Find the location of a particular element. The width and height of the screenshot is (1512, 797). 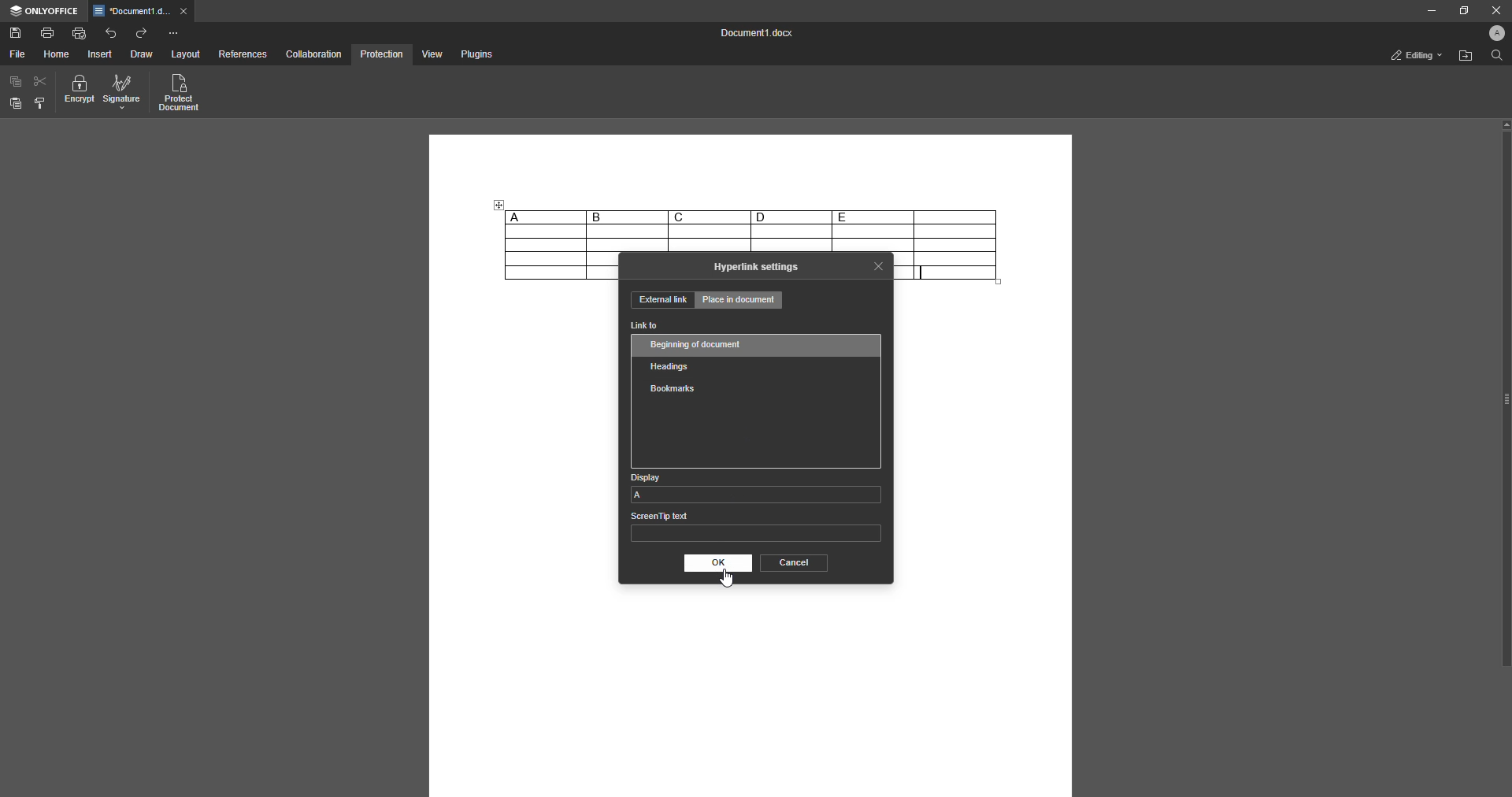

Cells is located at coordinates (751, 239).